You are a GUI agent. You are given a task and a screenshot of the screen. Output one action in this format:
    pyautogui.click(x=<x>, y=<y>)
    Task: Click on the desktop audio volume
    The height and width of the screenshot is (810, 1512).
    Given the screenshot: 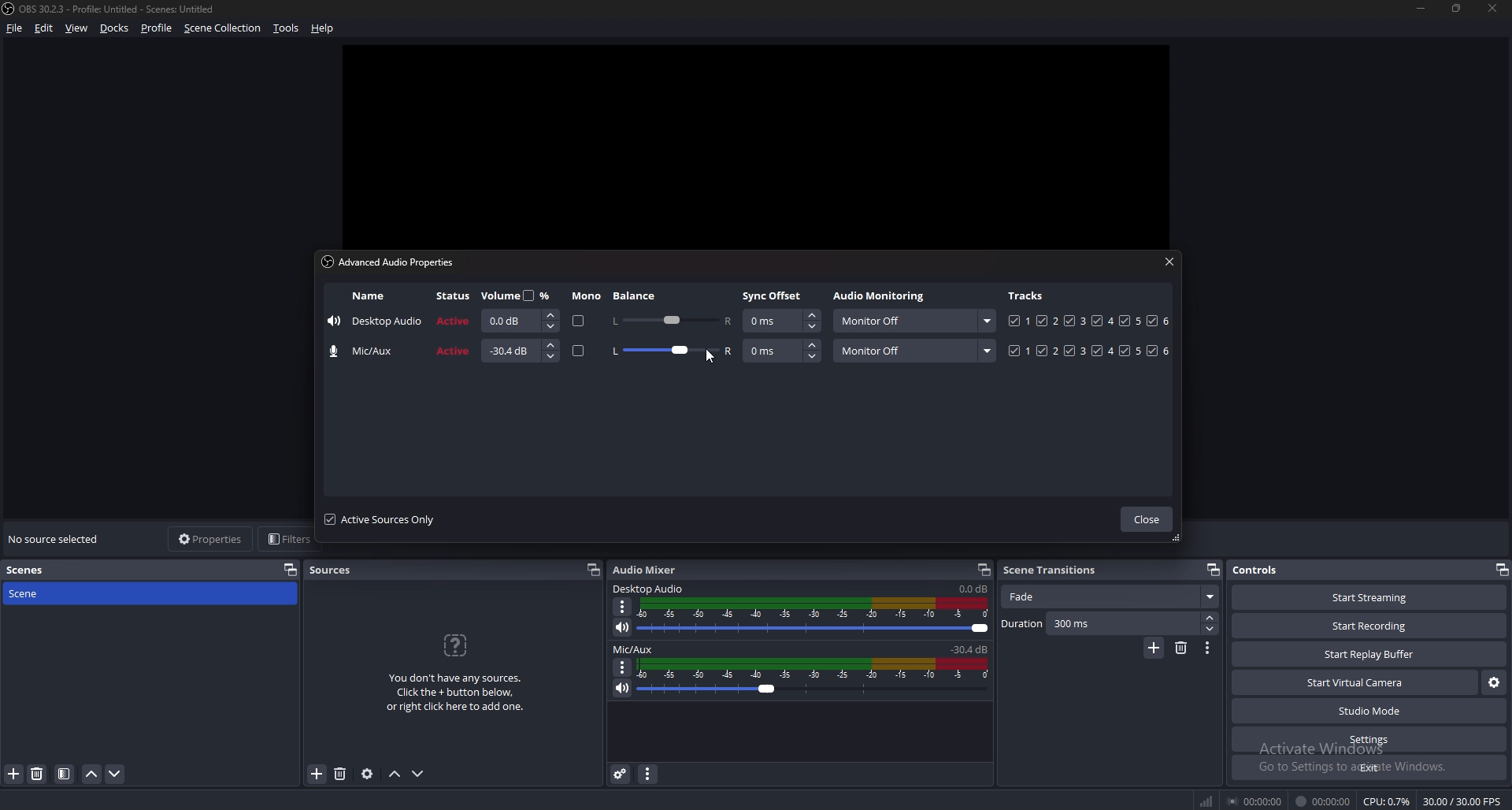 What is the action you would take?
    pyautogui.click(x=973, y=589)
    